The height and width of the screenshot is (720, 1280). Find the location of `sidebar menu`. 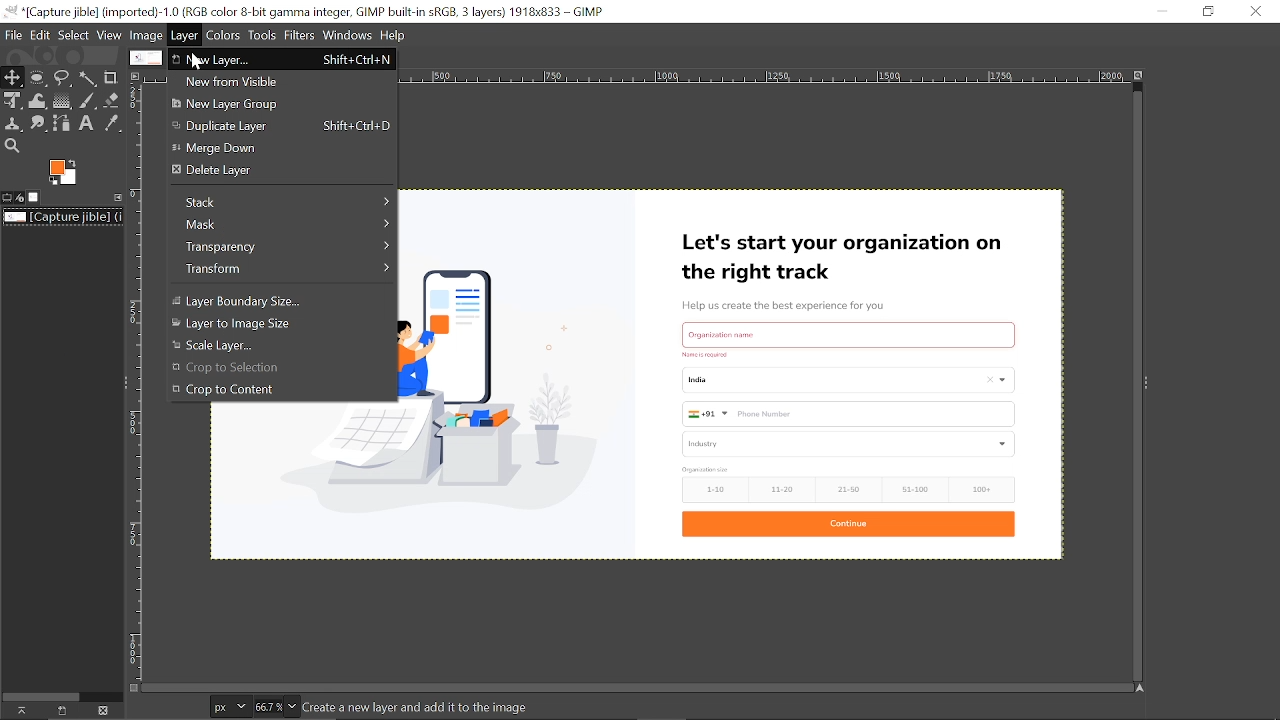

sidebar menu is located at coordinates (1146, 381).